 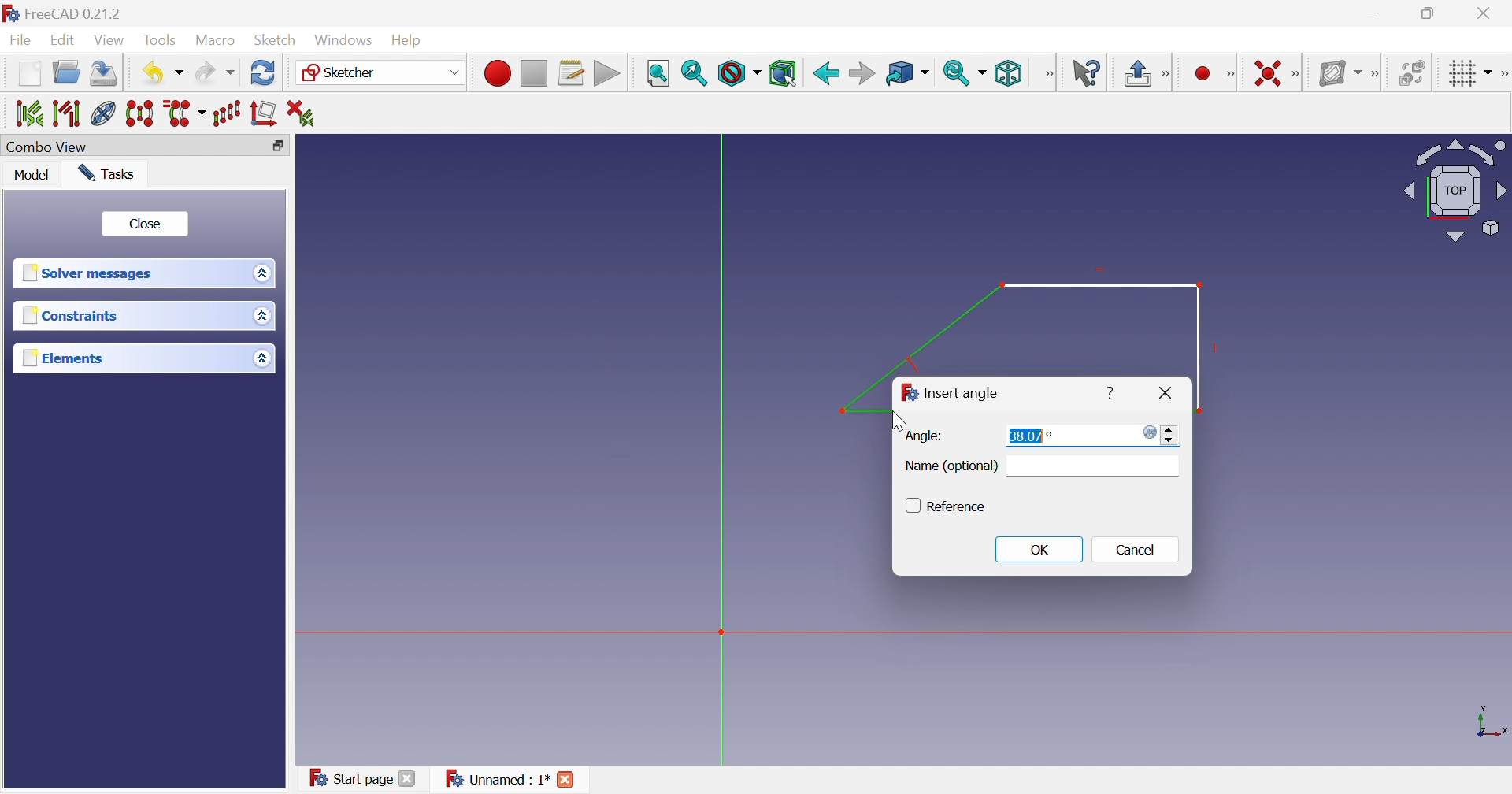 What do you see at coordinates (452, 72) in the screenshot?
I see `Drop Down` at bounding box center [452, 72].